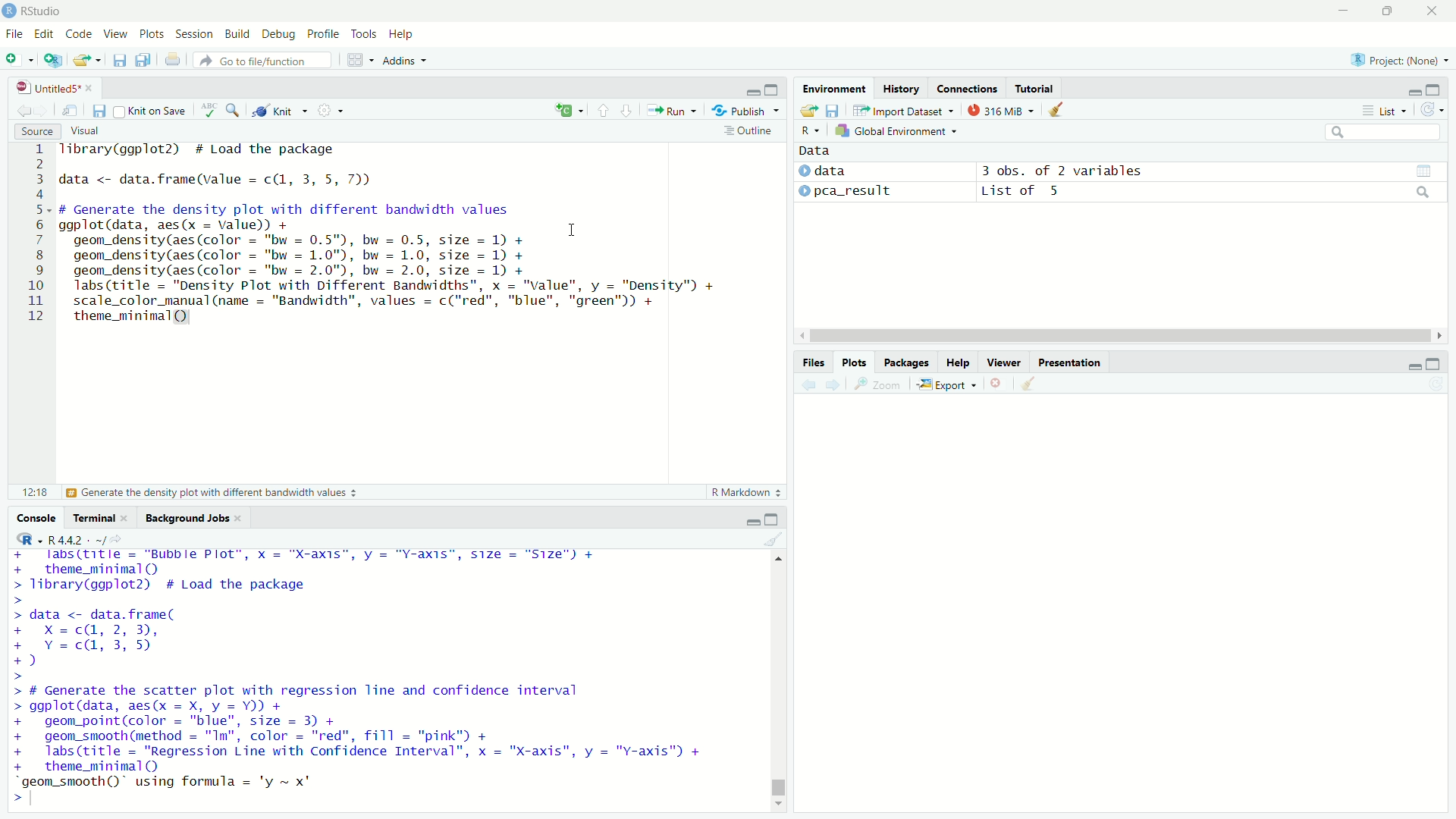 The image size is (1456, 819). What do you see at coordinates (671, 110) in the screenshot?
I see `Run` at bounding box center [671, 110].